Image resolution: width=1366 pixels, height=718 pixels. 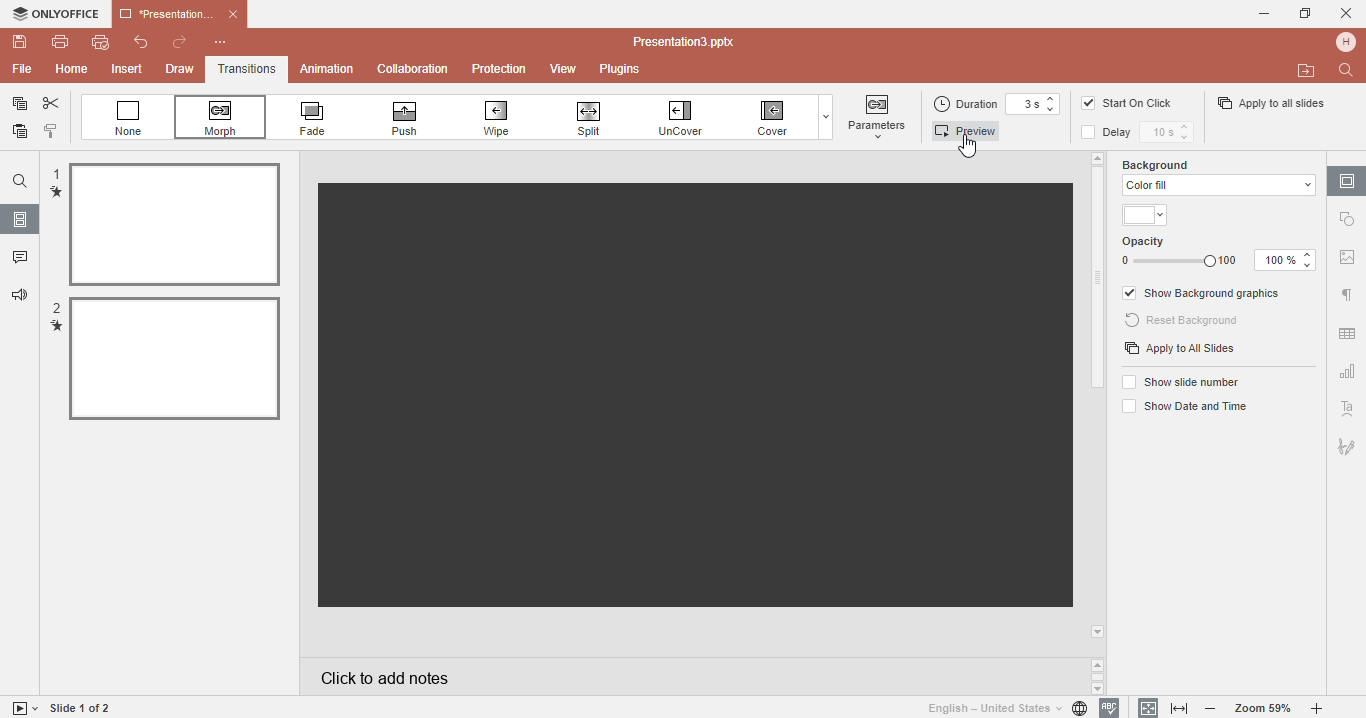 What do you see at coordinates (1144, 707) in the screenshot?
I see `Fit to slidee` at bounding box center [1144, 707].